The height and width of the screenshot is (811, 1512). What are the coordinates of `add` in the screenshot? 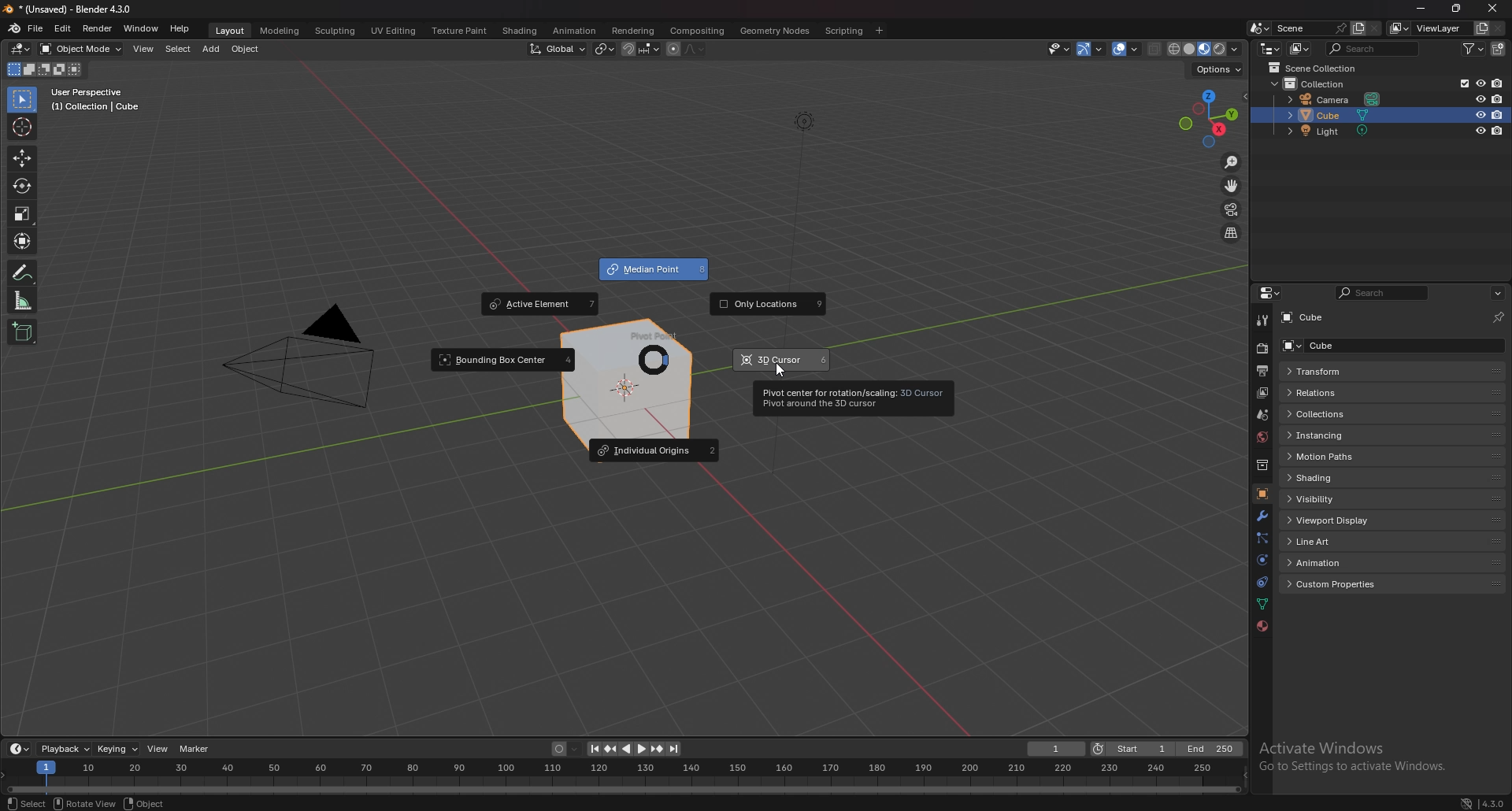 It's located at (213, 49).